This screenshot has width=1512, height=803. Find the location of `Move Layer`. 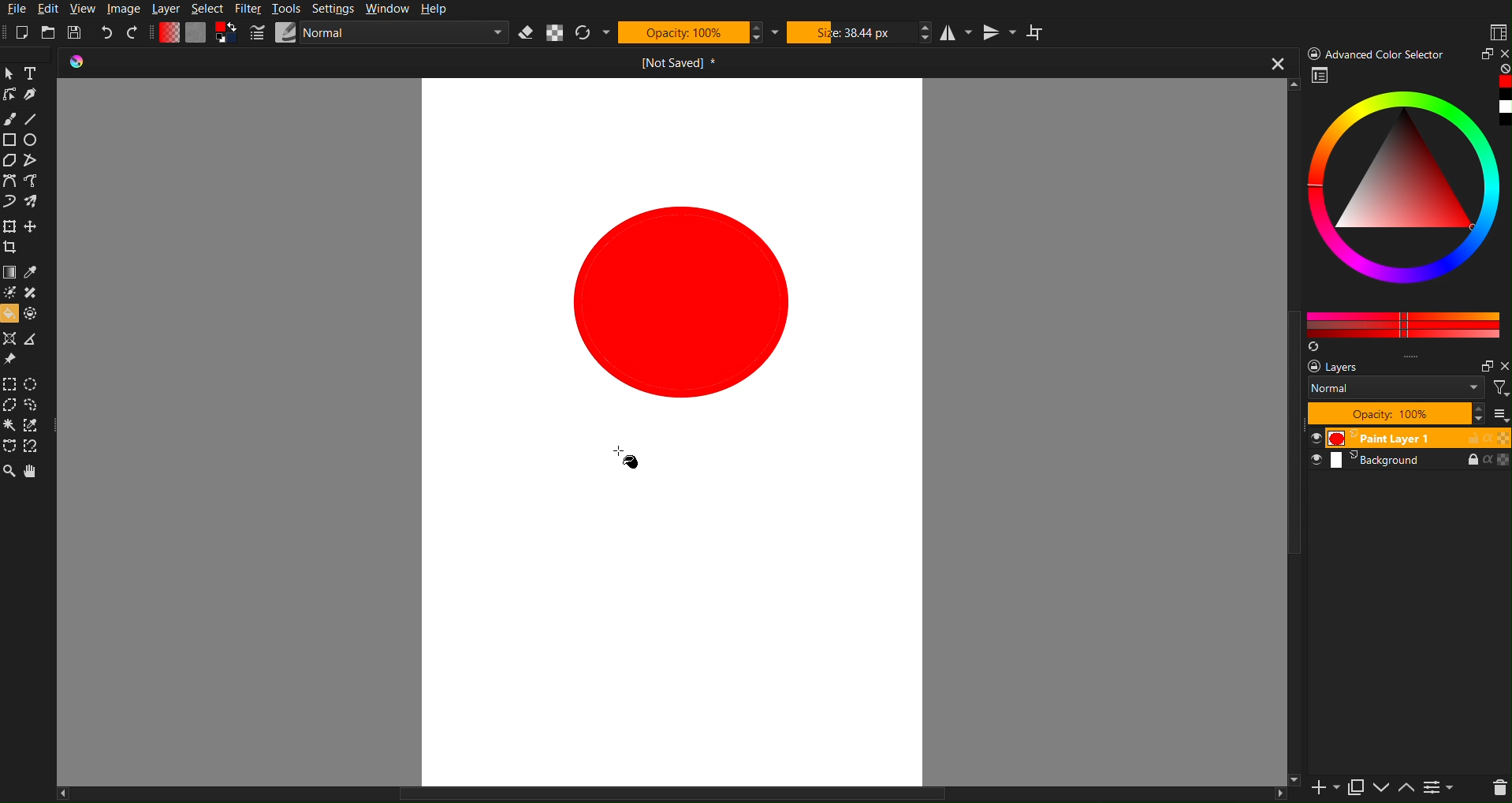

Move Layer is located at coordinates (32, 227).